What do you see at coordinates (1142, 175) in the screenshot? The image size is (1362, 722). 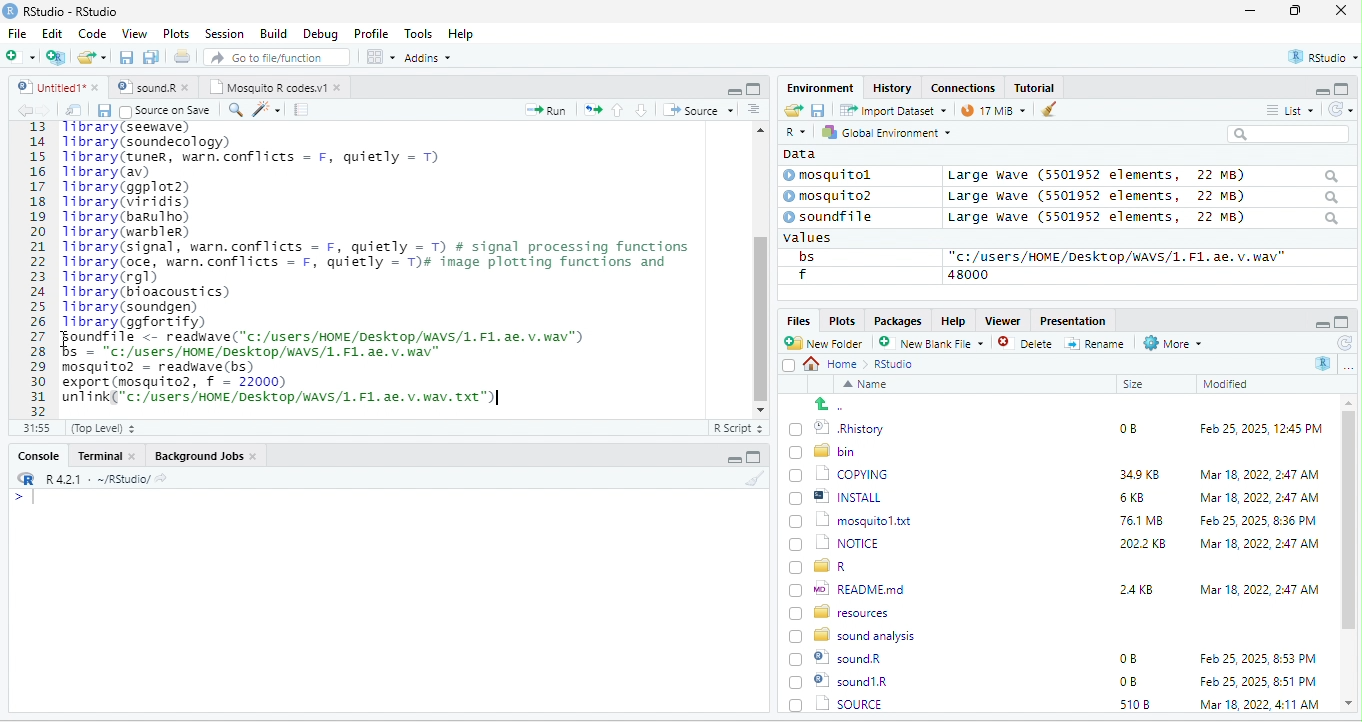 I see `Large wave (5501952 elements, 22 MB)` at bounding box center [1142, 175].